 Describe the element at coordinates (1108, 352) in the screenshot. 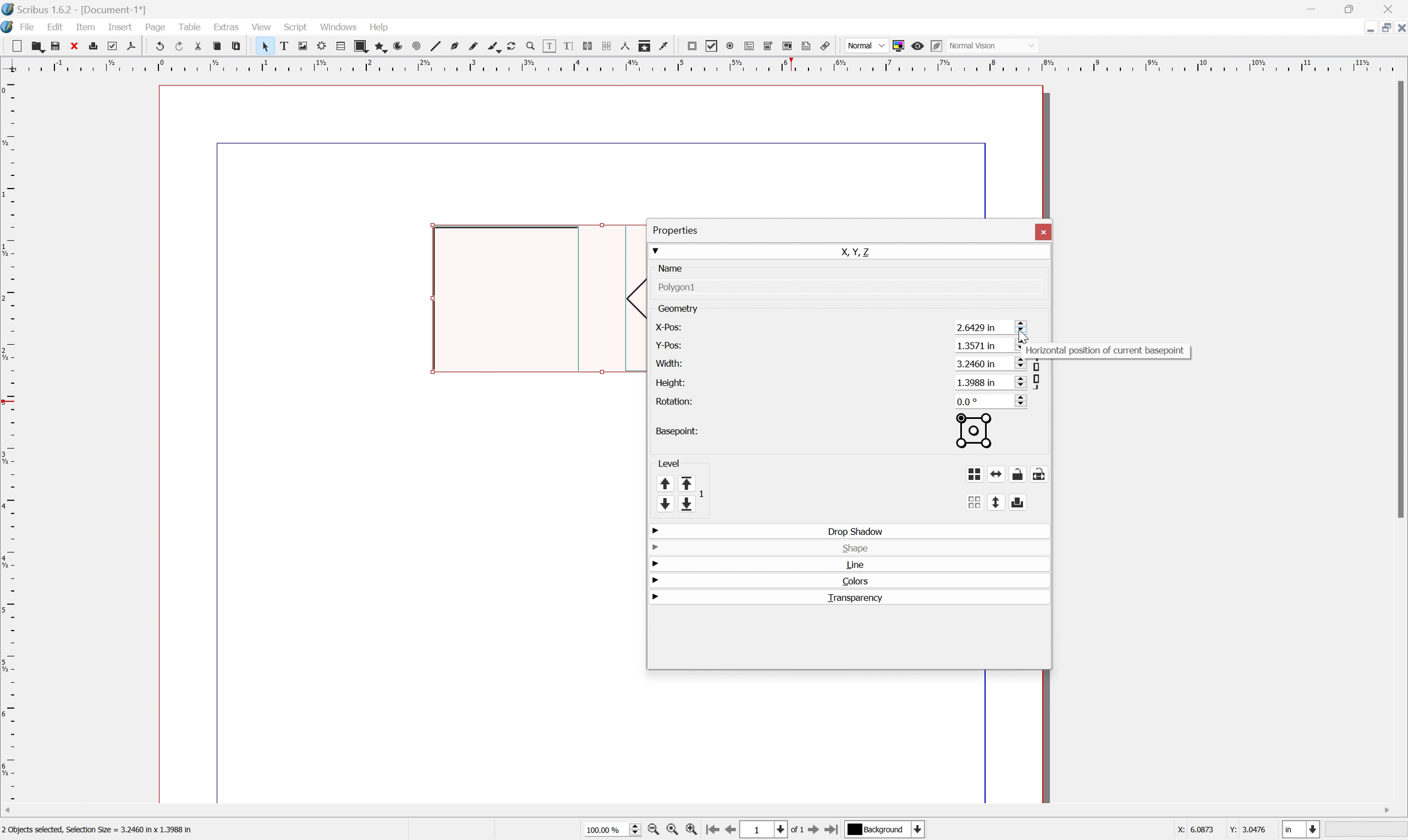

I see `horizontal position of current basepoint` at that location.